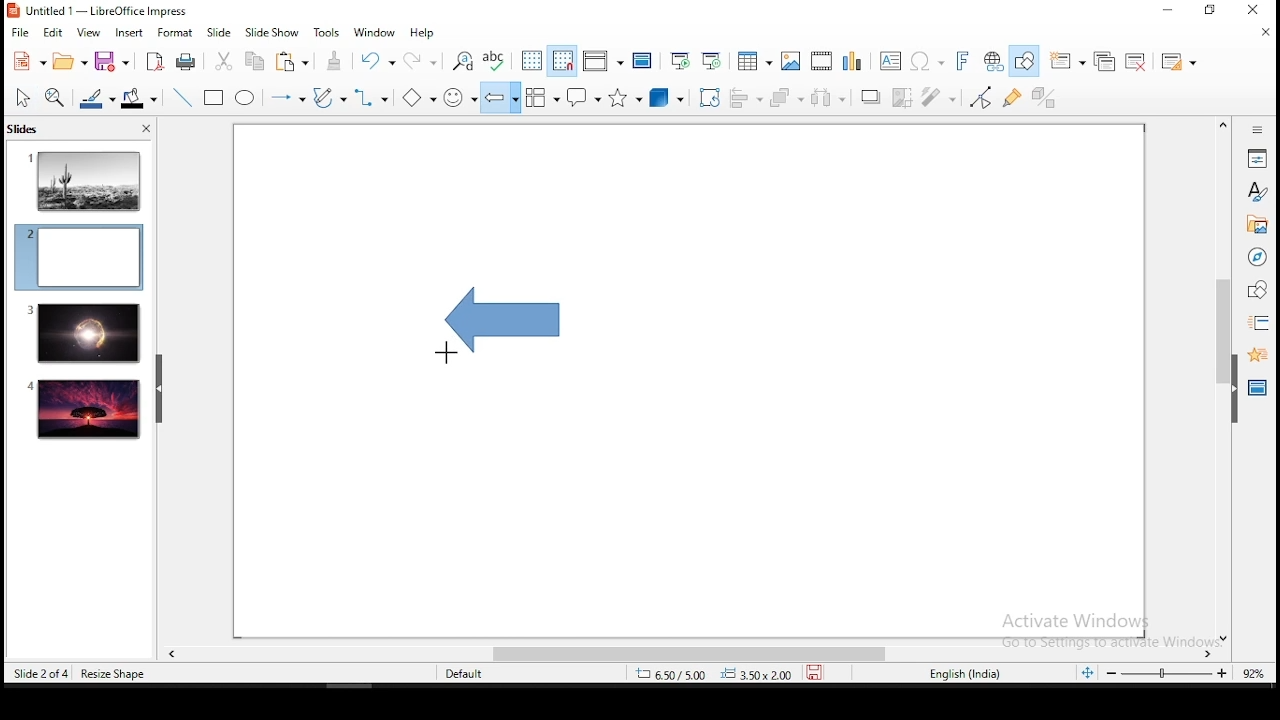 This screenshot has width=1280, height=720. What do you see at coordinates (1167, 11) in the screenshot?
I see `minimize` at bounding box center [1167, 11].